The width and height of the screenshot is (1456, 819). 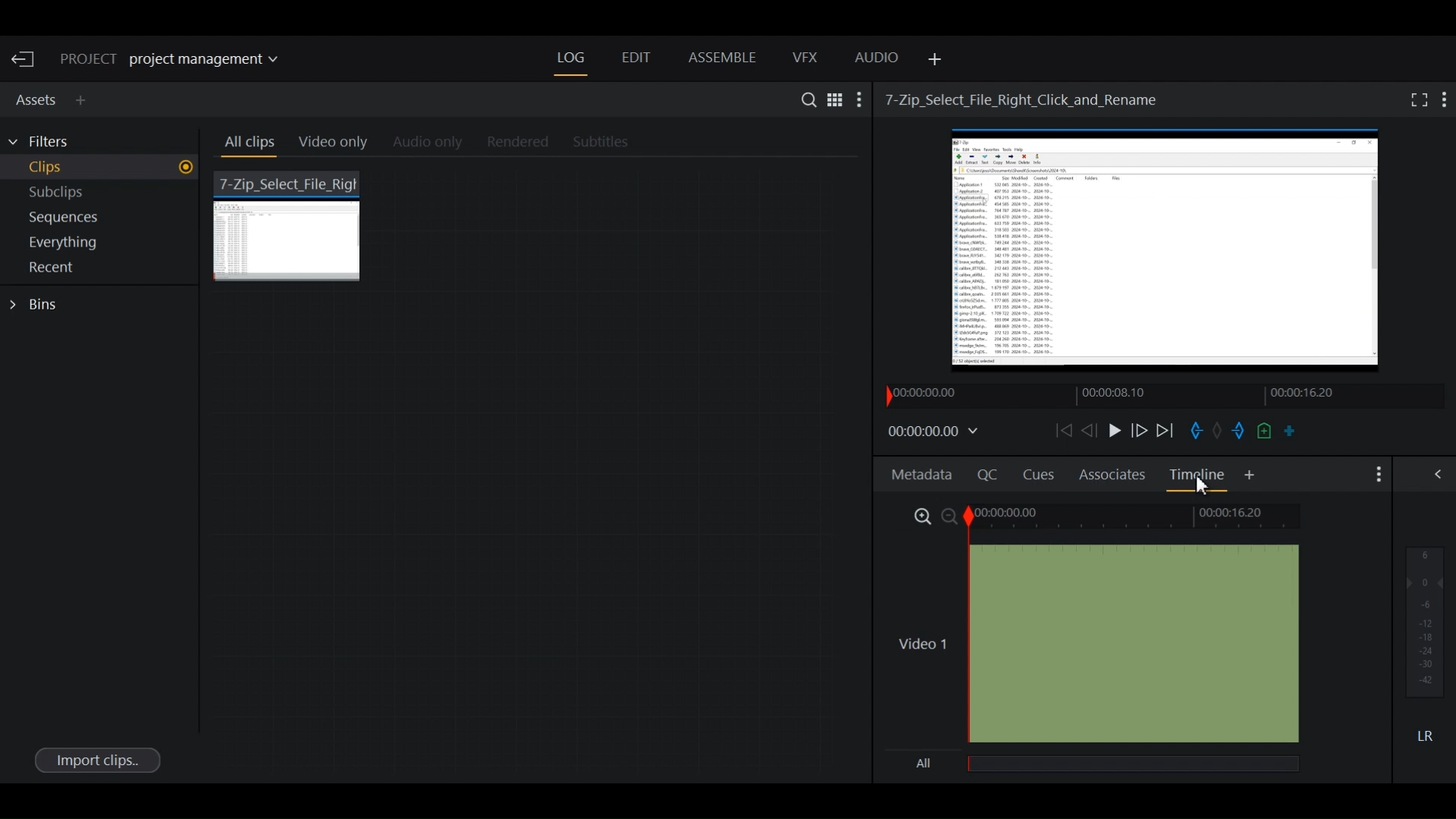 I want to click on Add Panel, so click(x=84, y=100).